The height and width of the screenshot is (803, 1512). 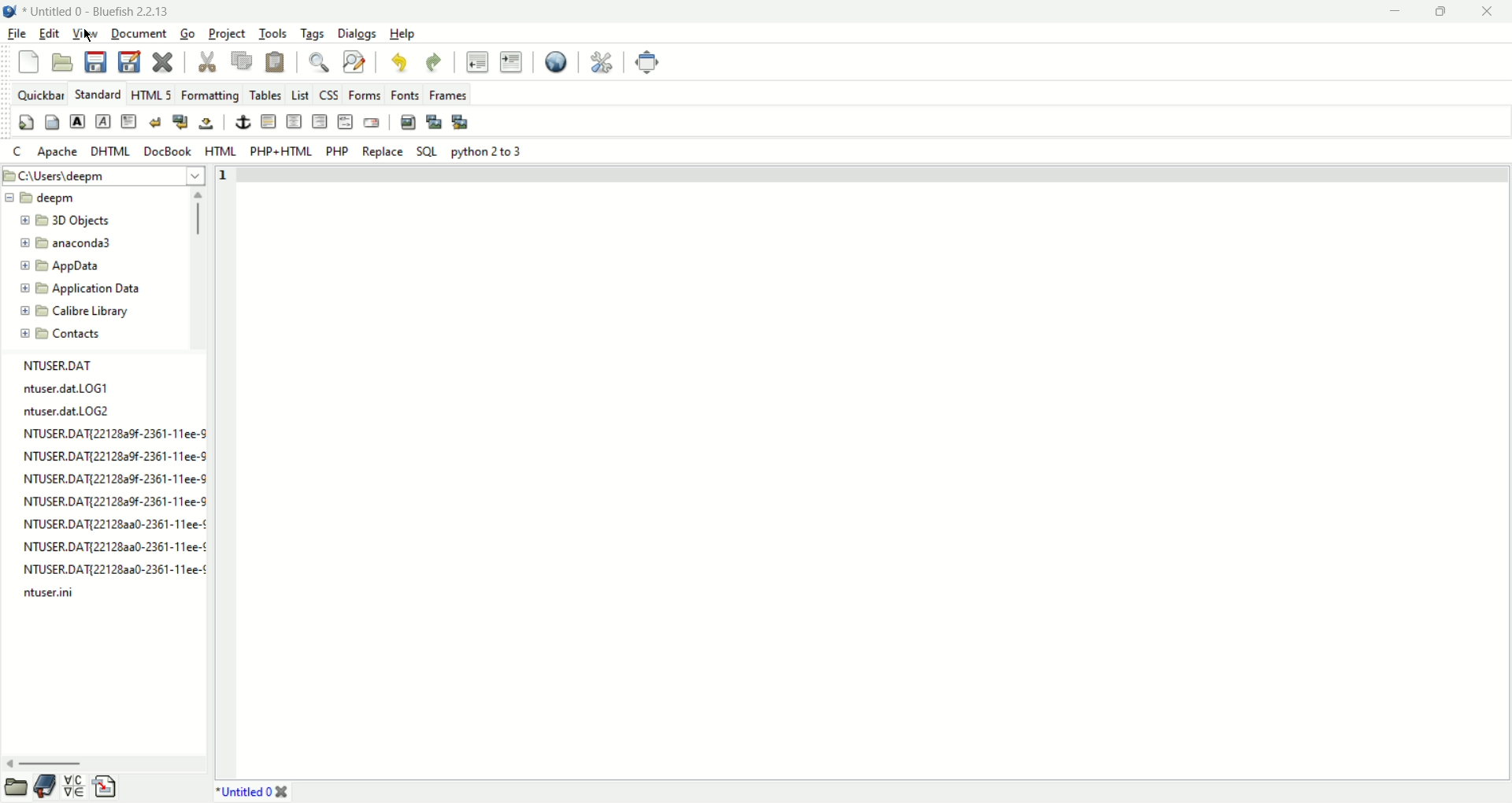 What do you see at coordinates (1399, 12) in the screenshot?
I see `minimize` at bounding box center [1399, 12].